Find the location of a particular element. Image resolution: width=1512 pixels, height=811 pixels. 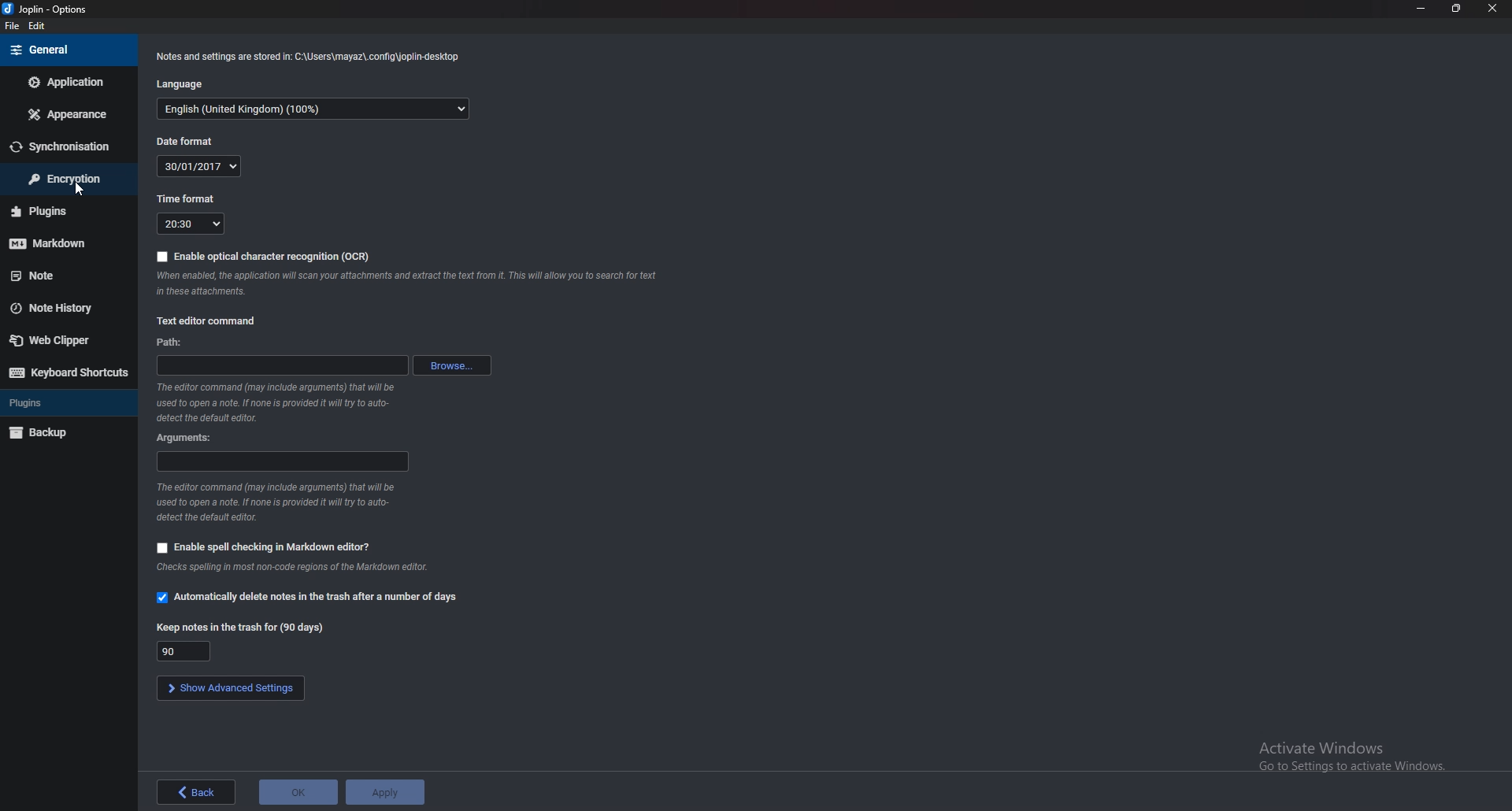

web clipper is located at coordinates (63, 339).